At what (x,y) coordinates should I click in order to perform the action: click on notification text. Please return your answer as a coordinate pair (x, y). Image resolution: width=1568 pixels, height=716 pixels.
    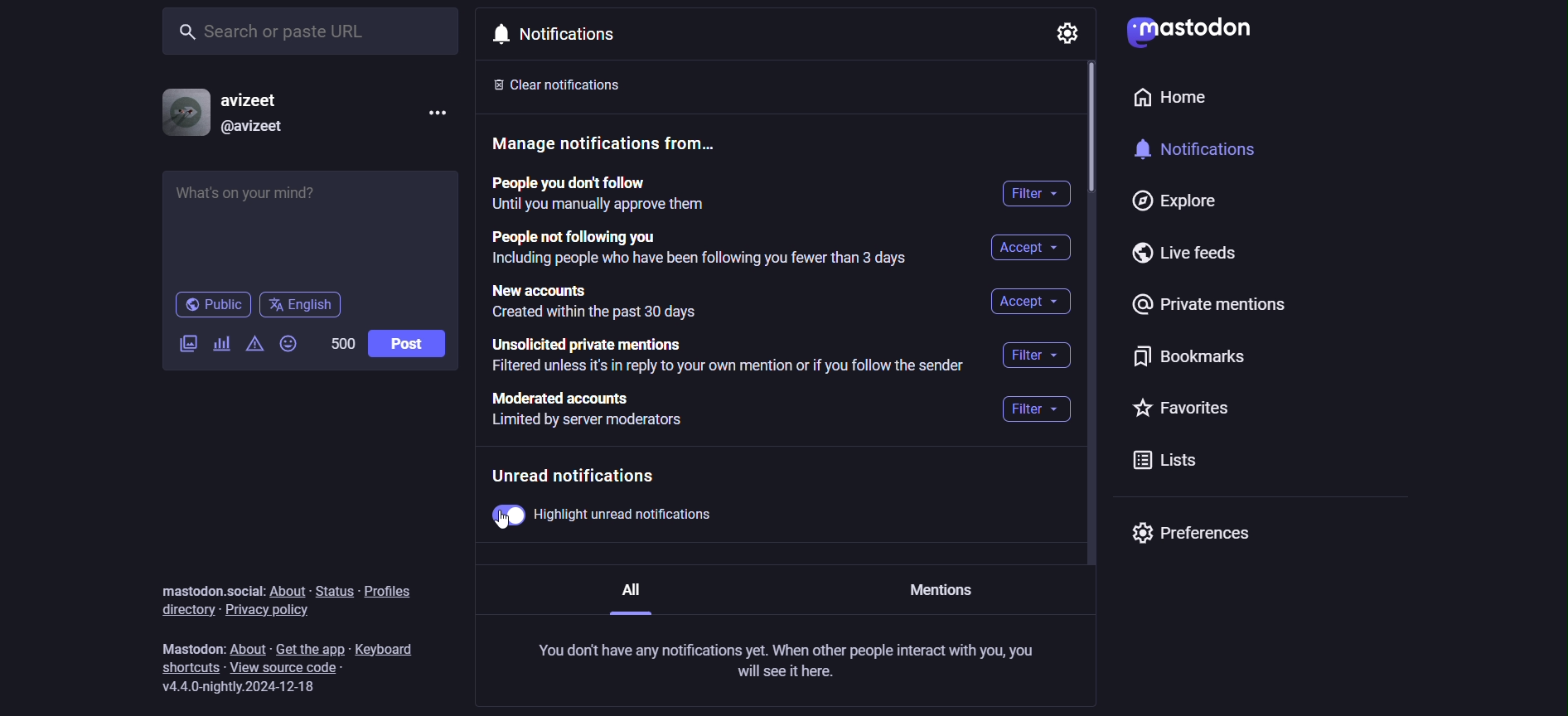
    Looking at the image, I should click on (791, 660).